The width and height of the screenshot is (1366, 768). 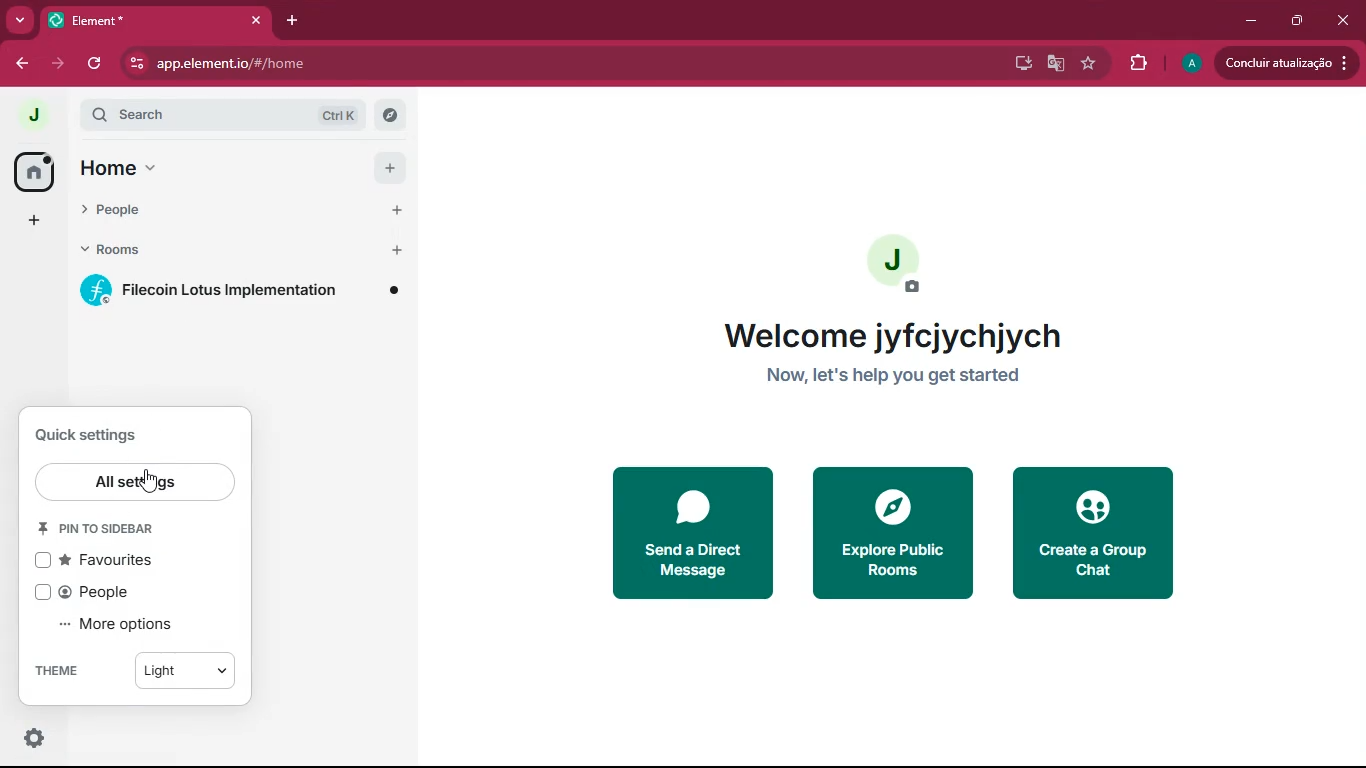 What do you see at coordinates (1016, 64) in the screenshot?
I see `desktop` at bounding box center [1016, 64].